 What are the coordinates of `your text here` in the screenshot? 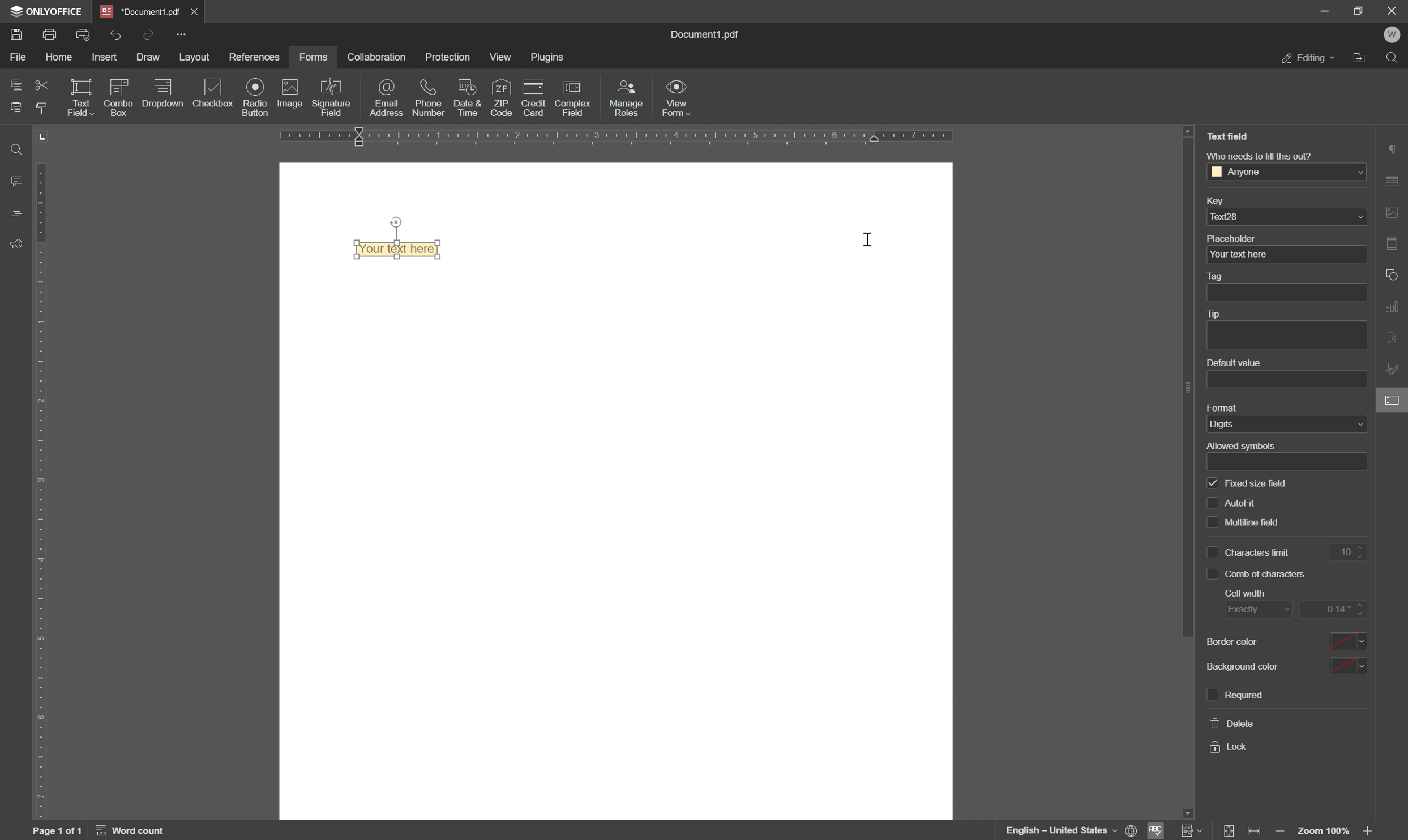 It's located at (390, 247).